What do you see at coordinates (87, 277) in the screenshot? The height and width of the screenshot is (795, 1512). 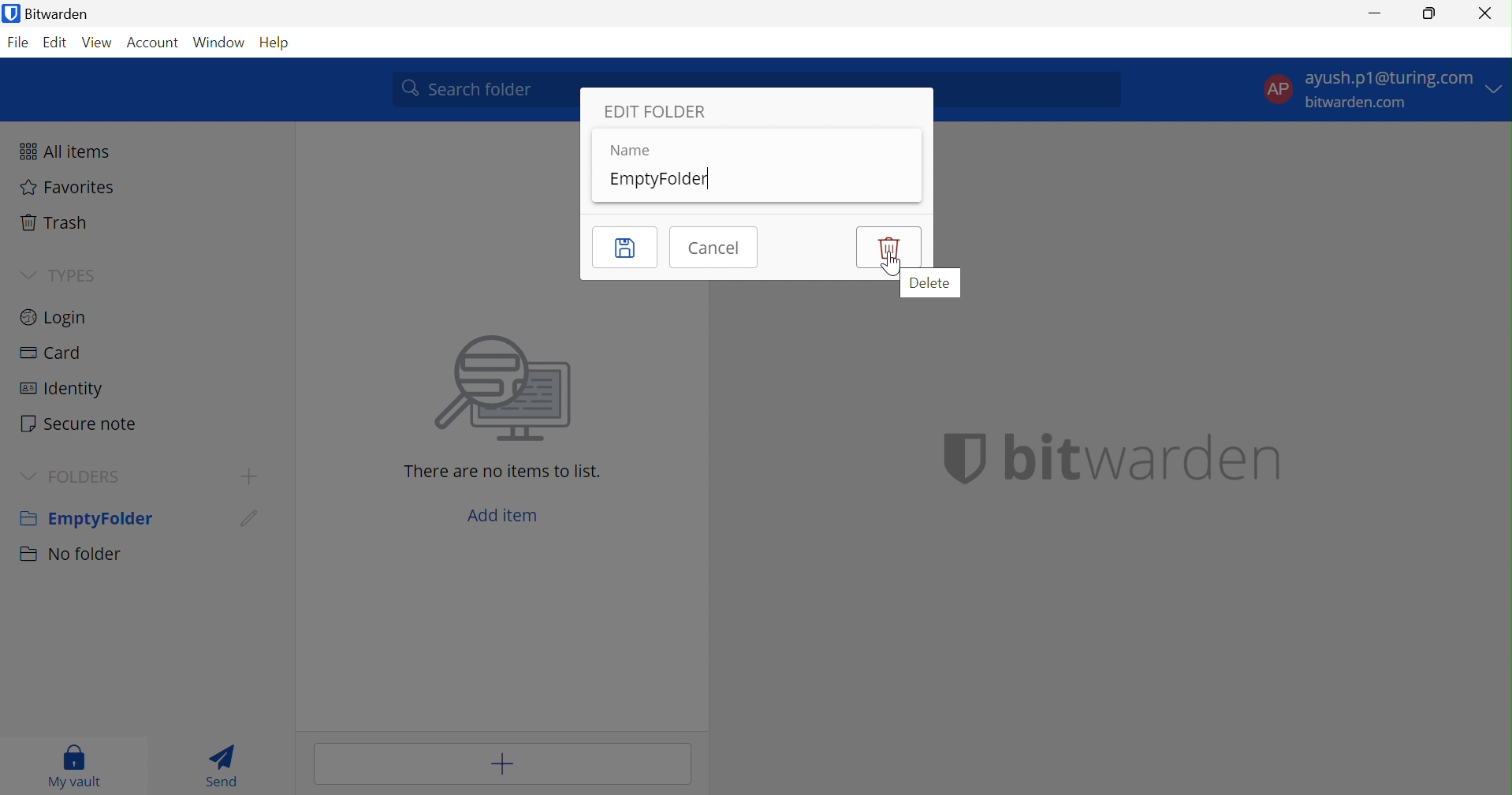 I see `TYPES` at bounding box center [87, 277].